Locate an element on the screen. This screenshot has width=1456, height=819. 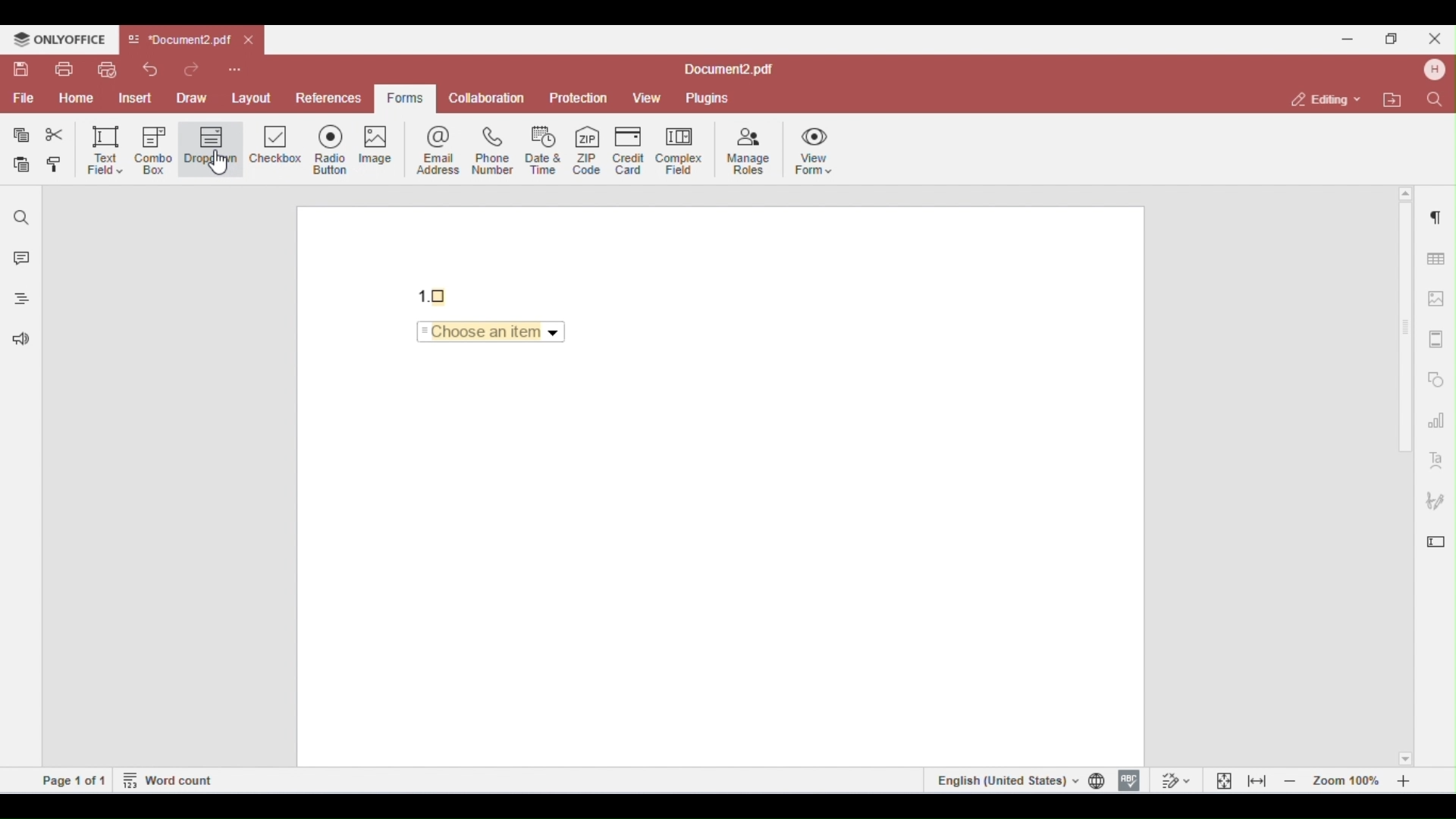
home is located at coordinates (76, 99).